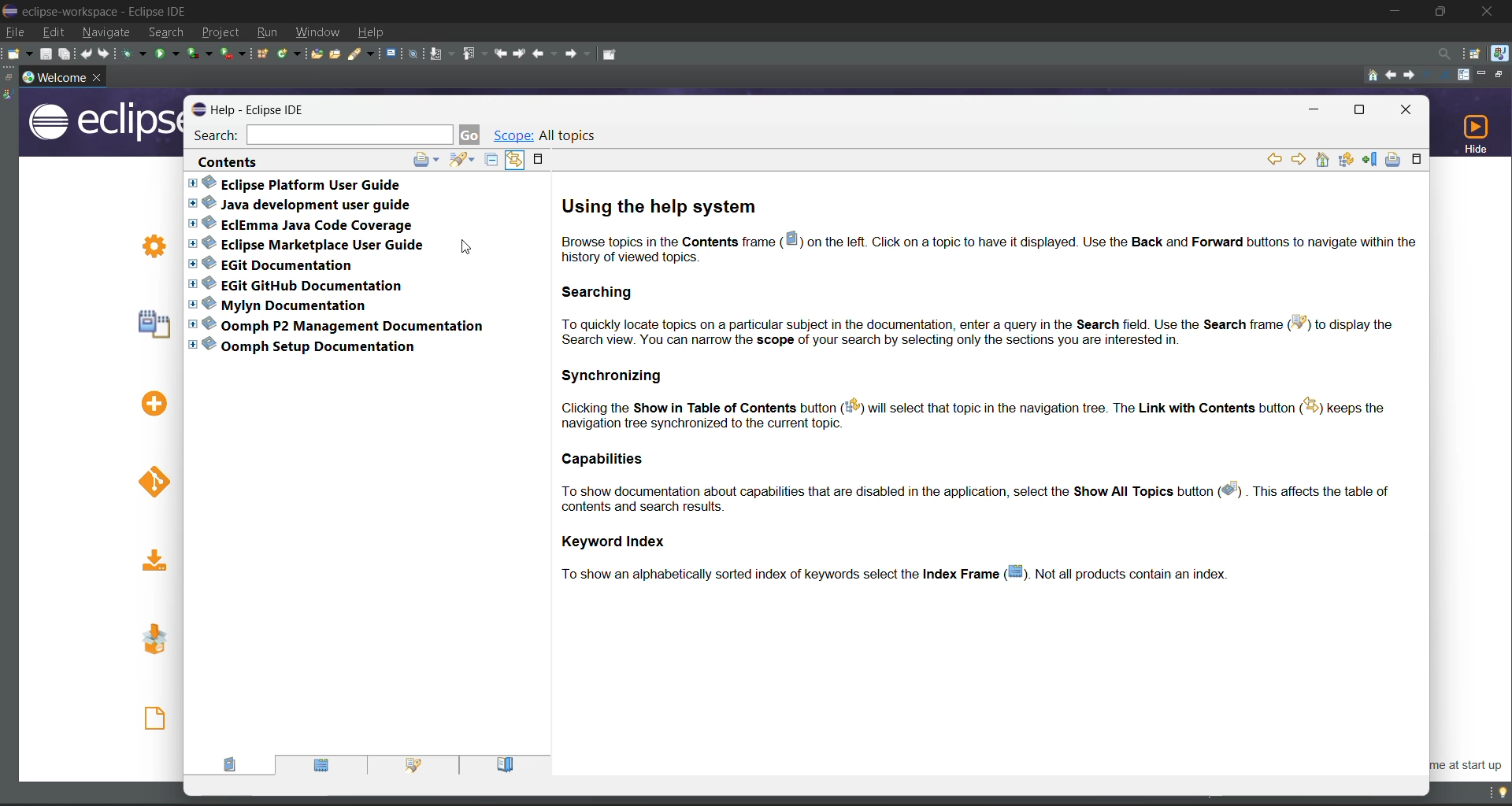 This screenshot has width=1512, height=806. Describe the element at coordinates (336, 324) in the screenshot. I see `Oomph P2 management documentation` at that location.